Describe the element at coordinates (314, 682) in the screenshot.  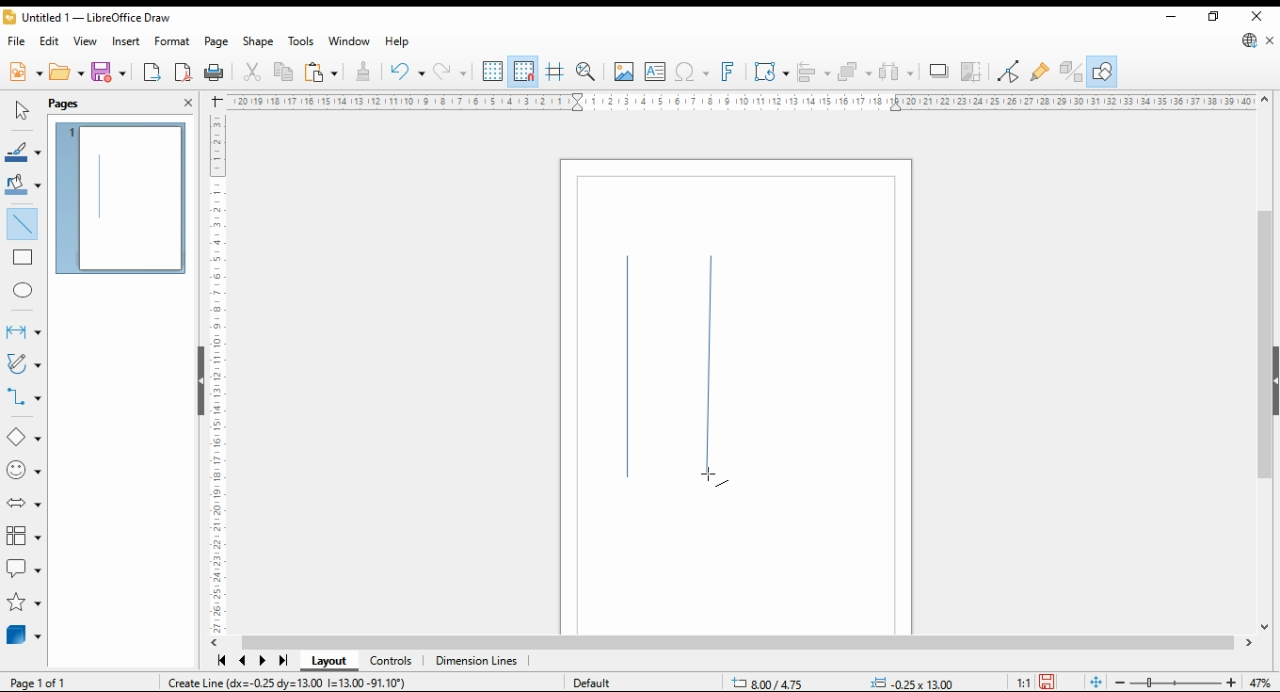
I see `create vertical line` at that location.